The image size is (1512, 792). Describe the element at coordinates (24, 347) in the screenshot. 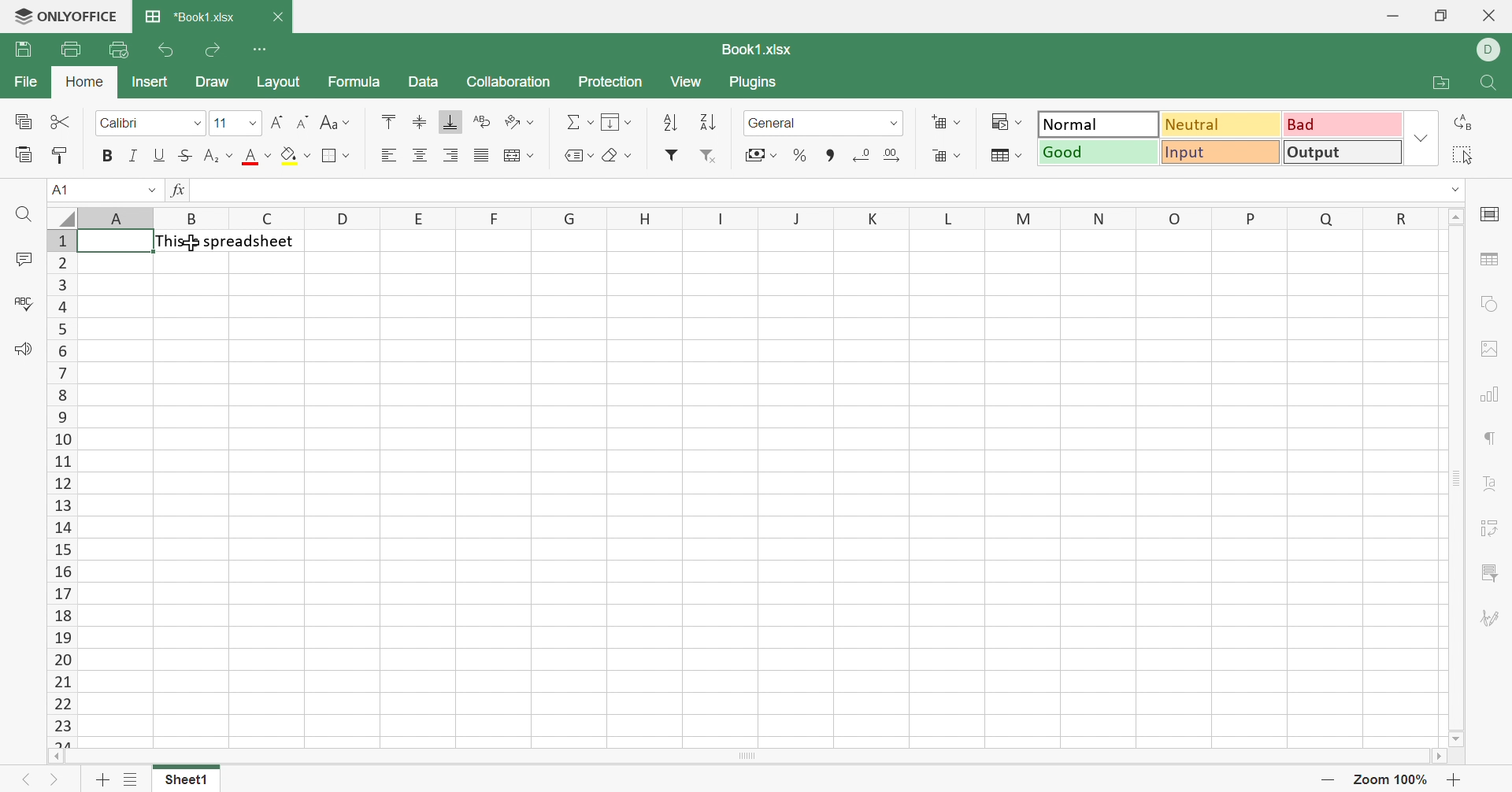

I see `Feedback & Support` at that location.